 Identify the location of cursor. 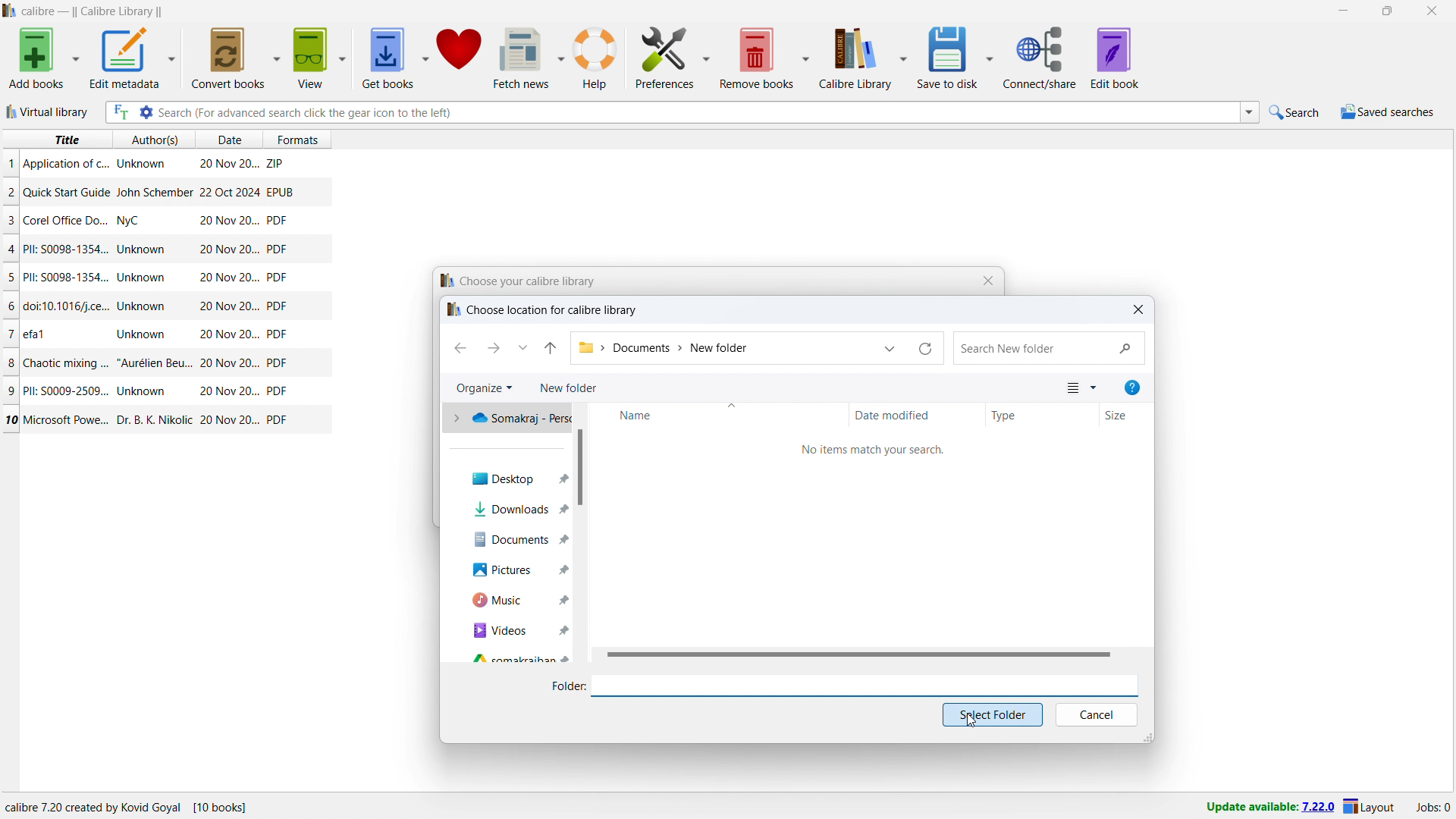
(968, 726).